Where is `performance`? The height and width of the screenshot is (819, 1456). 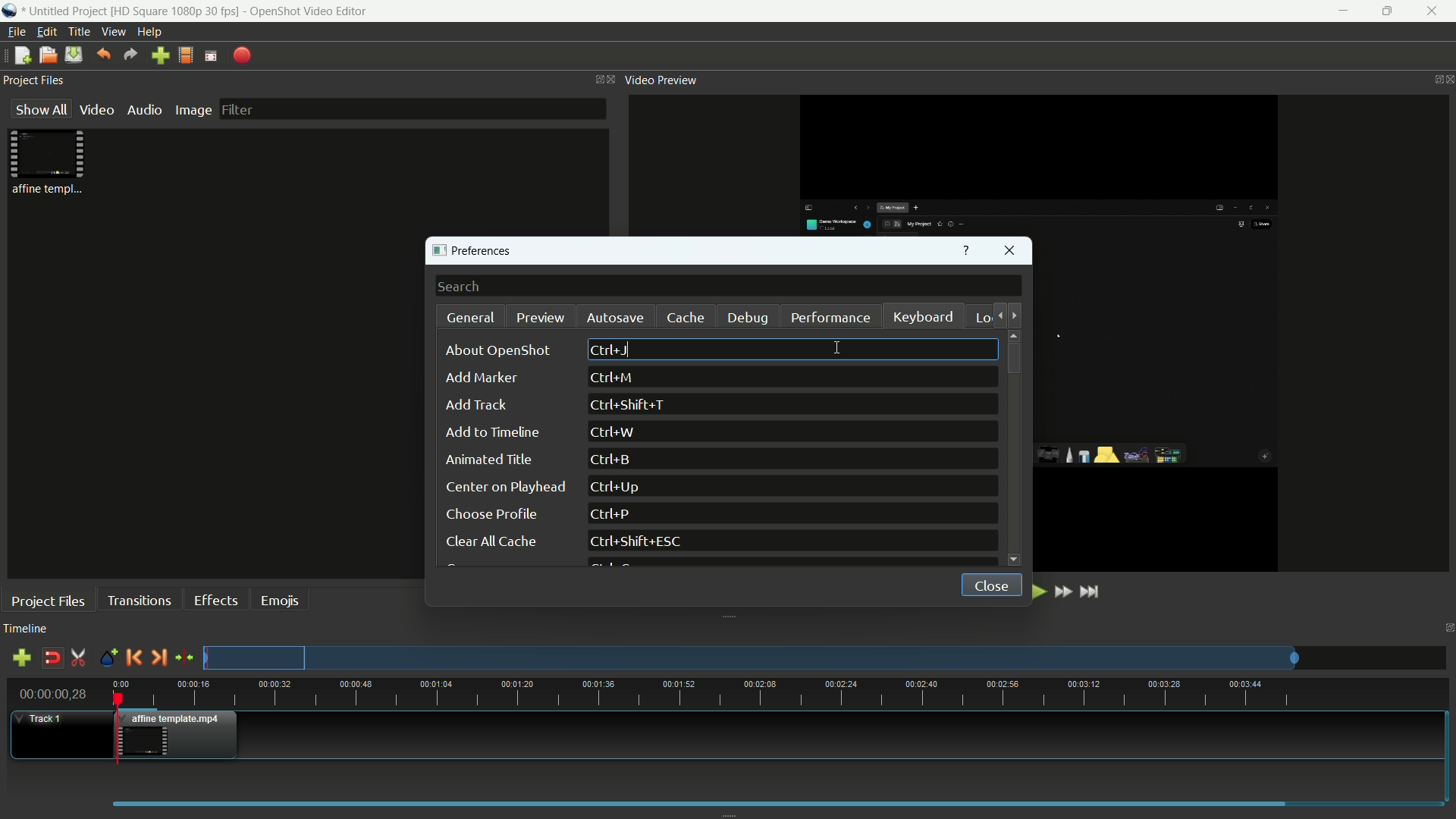
performance is located at coordinates (830, 317).